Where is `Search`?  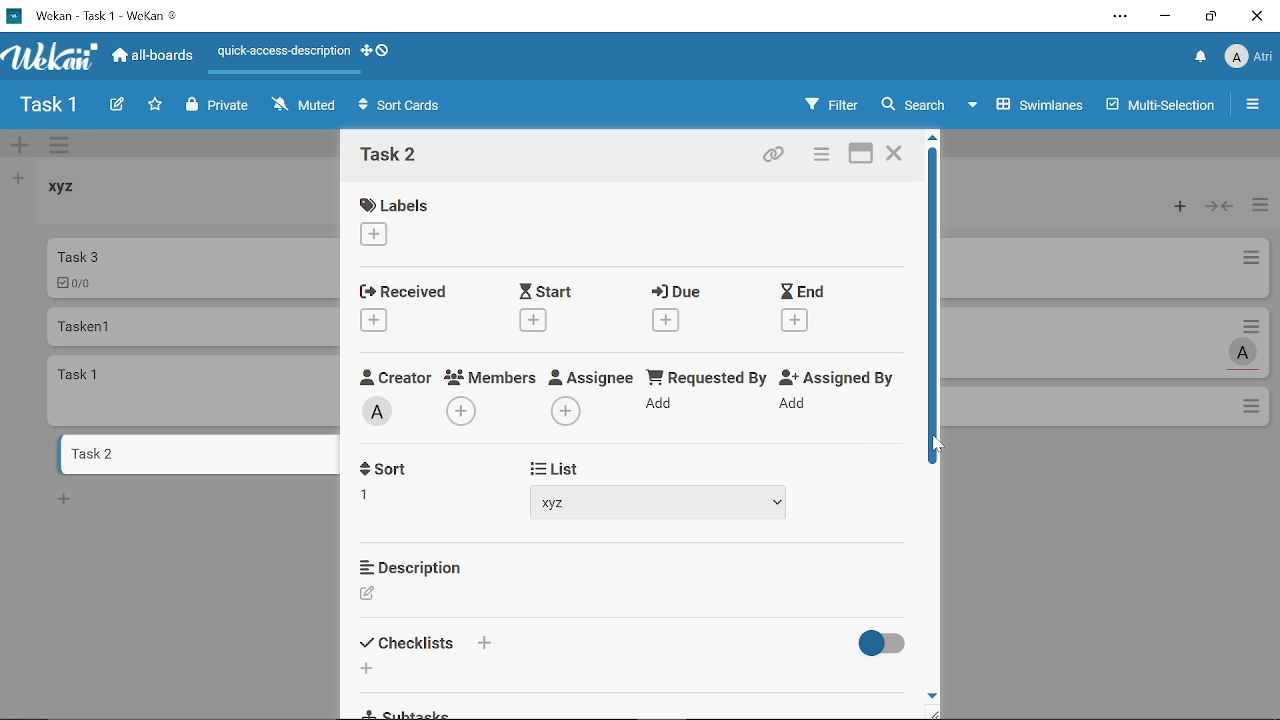
Search is located at coordinates (912, 105).